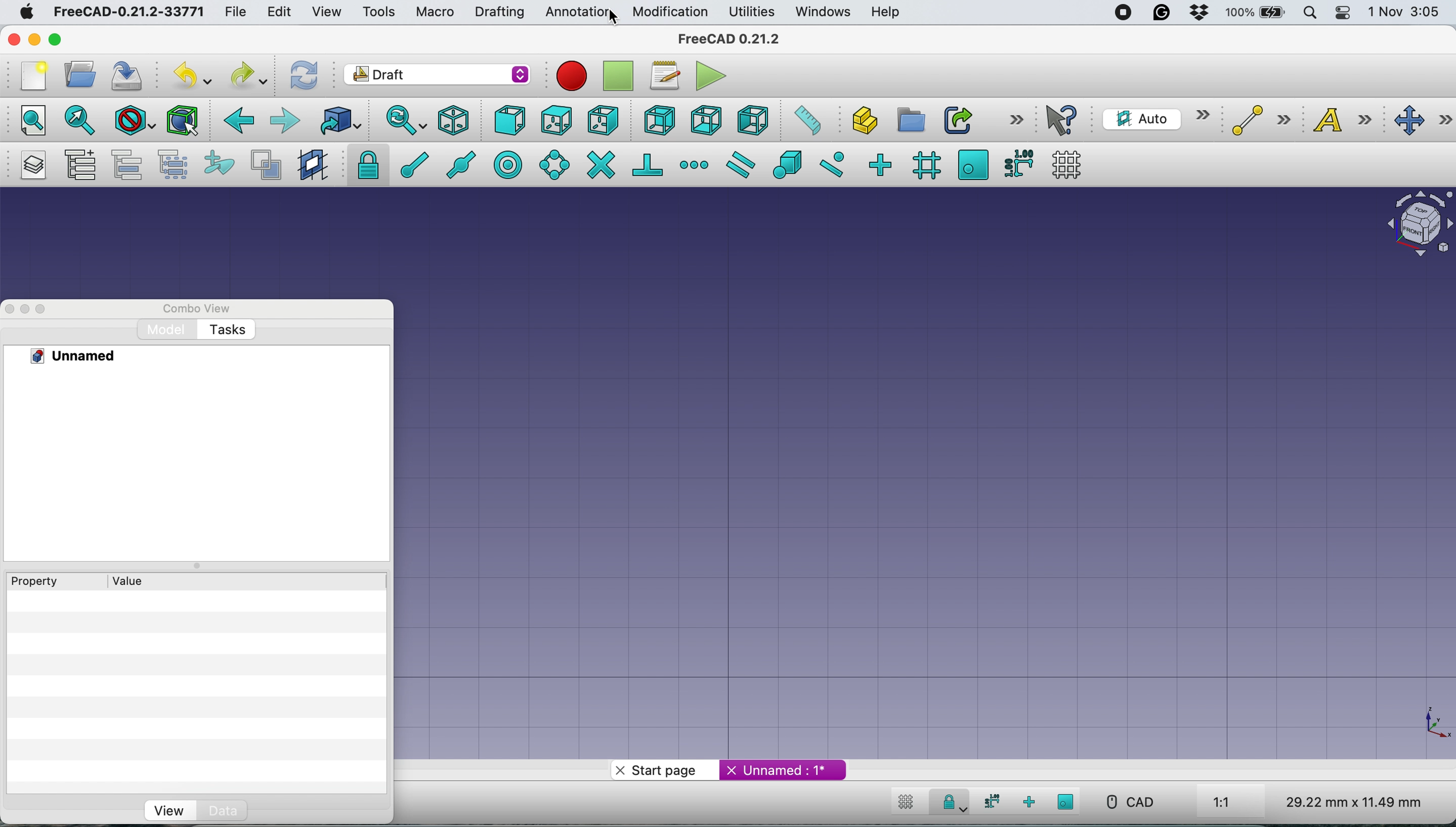 The width and height of the screenshot is (1456, 827). Describe the element at coordinates (313, 166) in the screenshot. I see `create working plane proxy` at that location.